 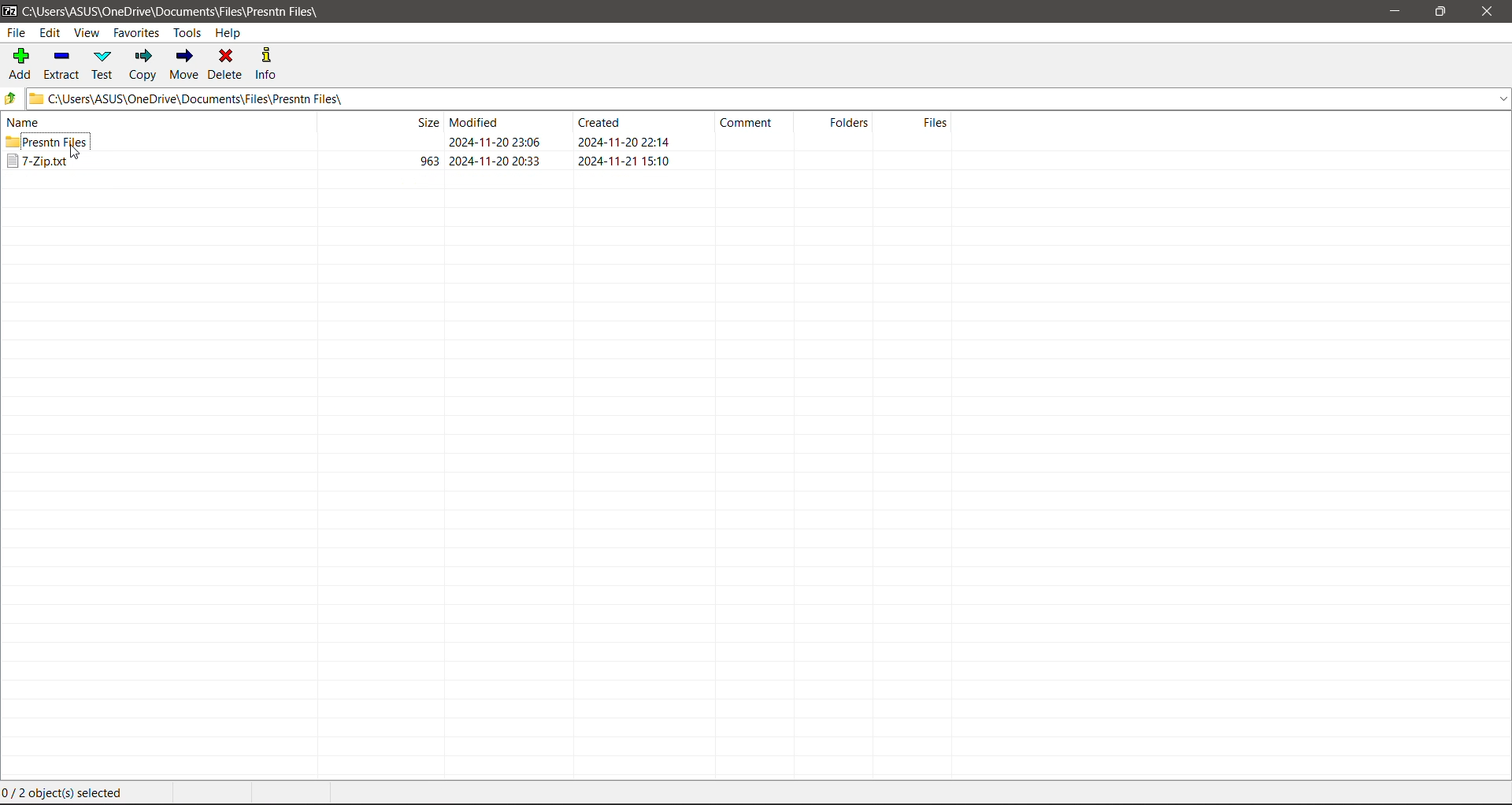 I want to click on File, so click(x=15, y=32).